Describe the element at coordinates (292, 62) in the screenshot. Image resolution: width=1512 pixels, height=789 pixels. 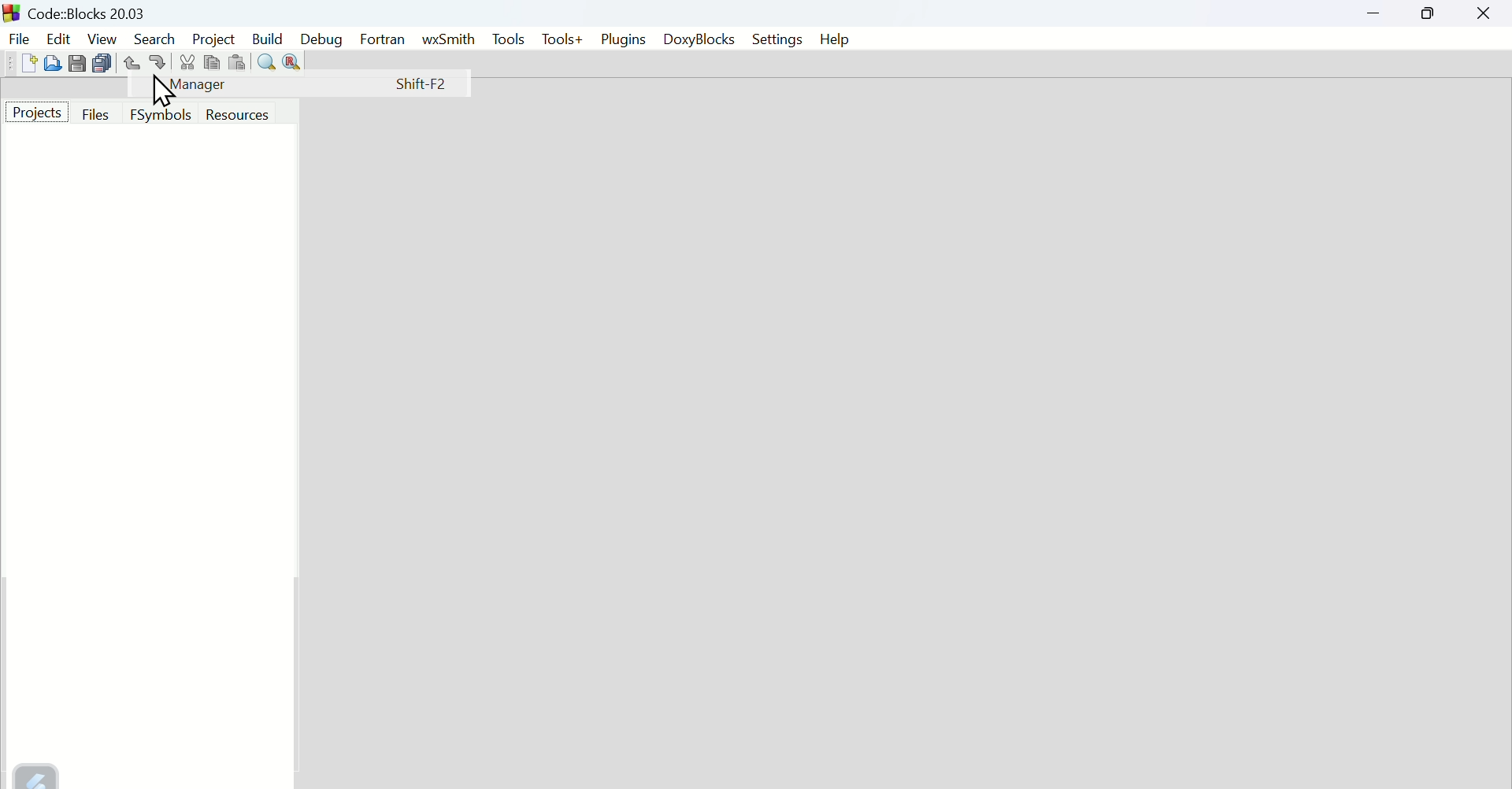
I see `Replace` at that location.